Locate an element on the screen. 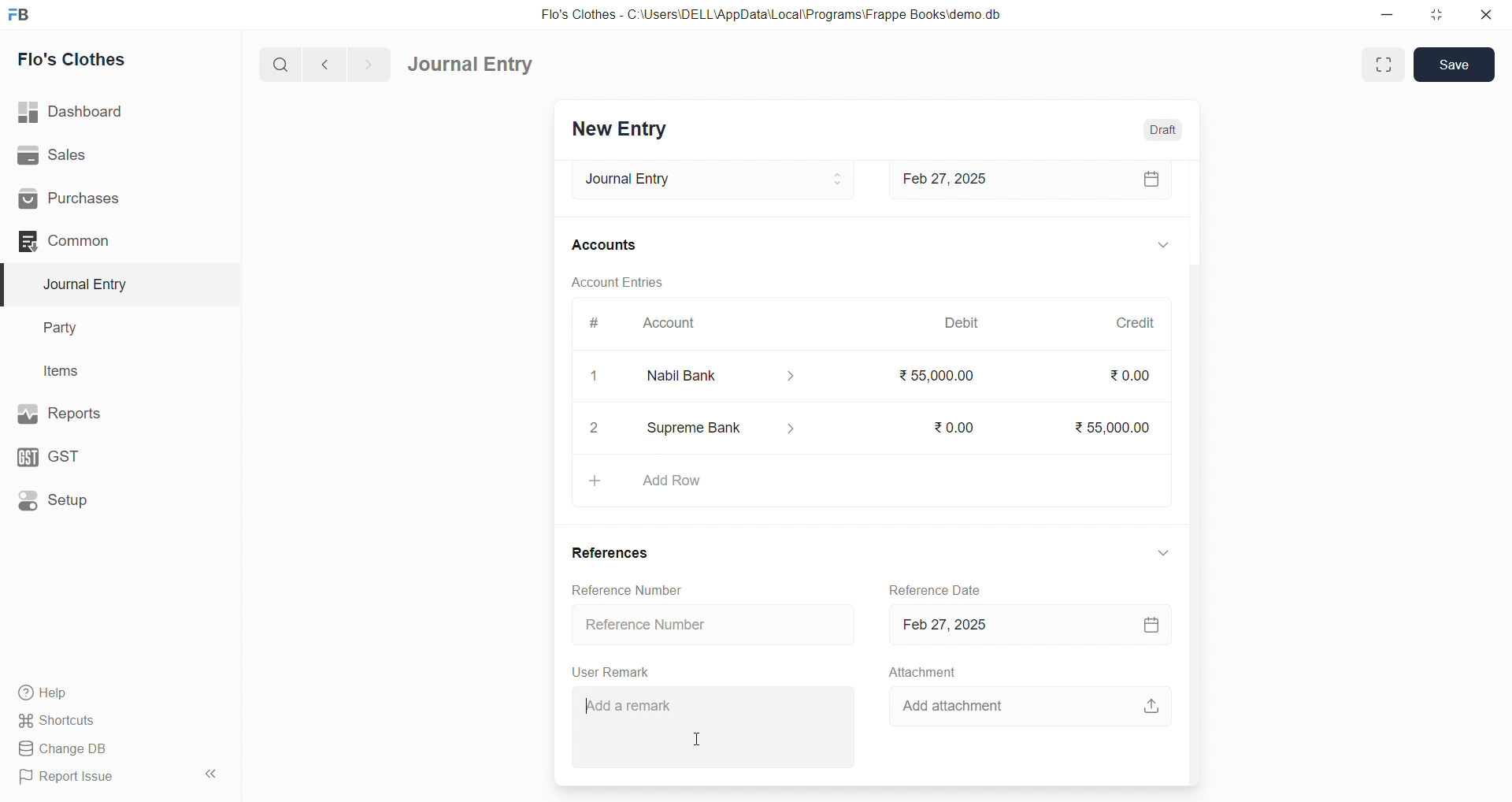  ₹0.00 is located at coordinates (949, 426).